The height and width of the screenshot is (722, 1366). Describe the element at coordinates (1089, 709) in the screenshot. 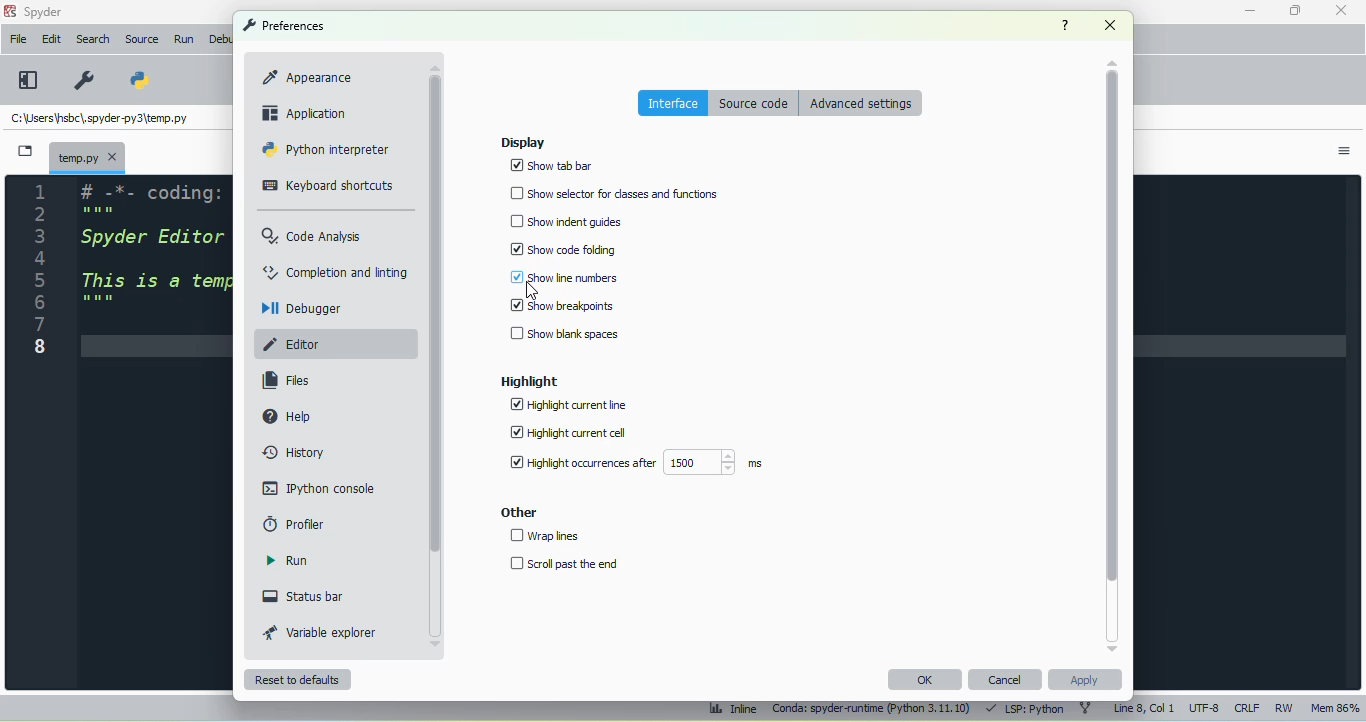

I see `git branch` at that location.